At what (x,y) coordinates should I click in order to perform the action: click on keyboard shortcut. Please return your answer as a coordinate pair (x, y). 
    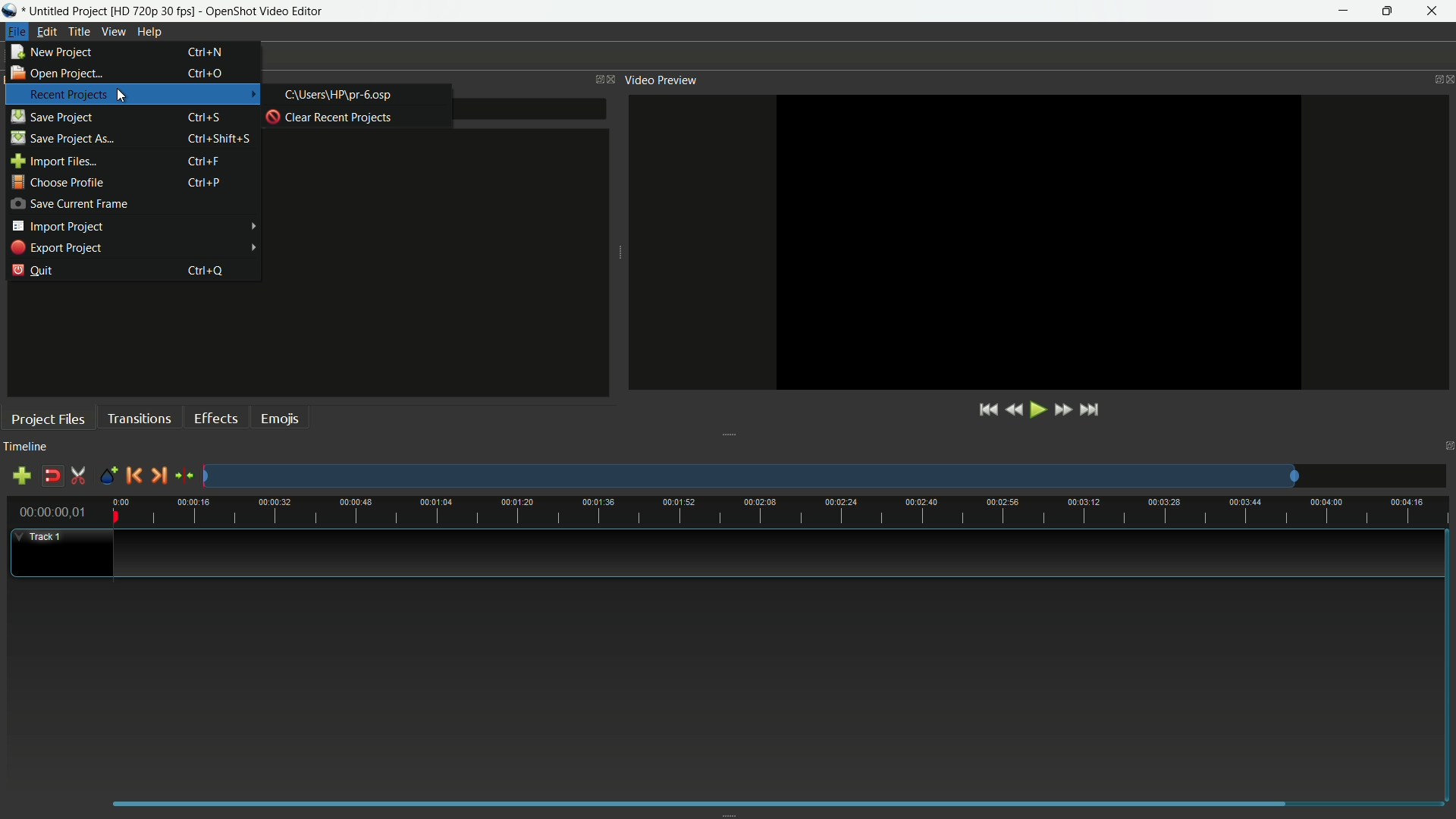
    Looking at the image, I should click on (204, 73).